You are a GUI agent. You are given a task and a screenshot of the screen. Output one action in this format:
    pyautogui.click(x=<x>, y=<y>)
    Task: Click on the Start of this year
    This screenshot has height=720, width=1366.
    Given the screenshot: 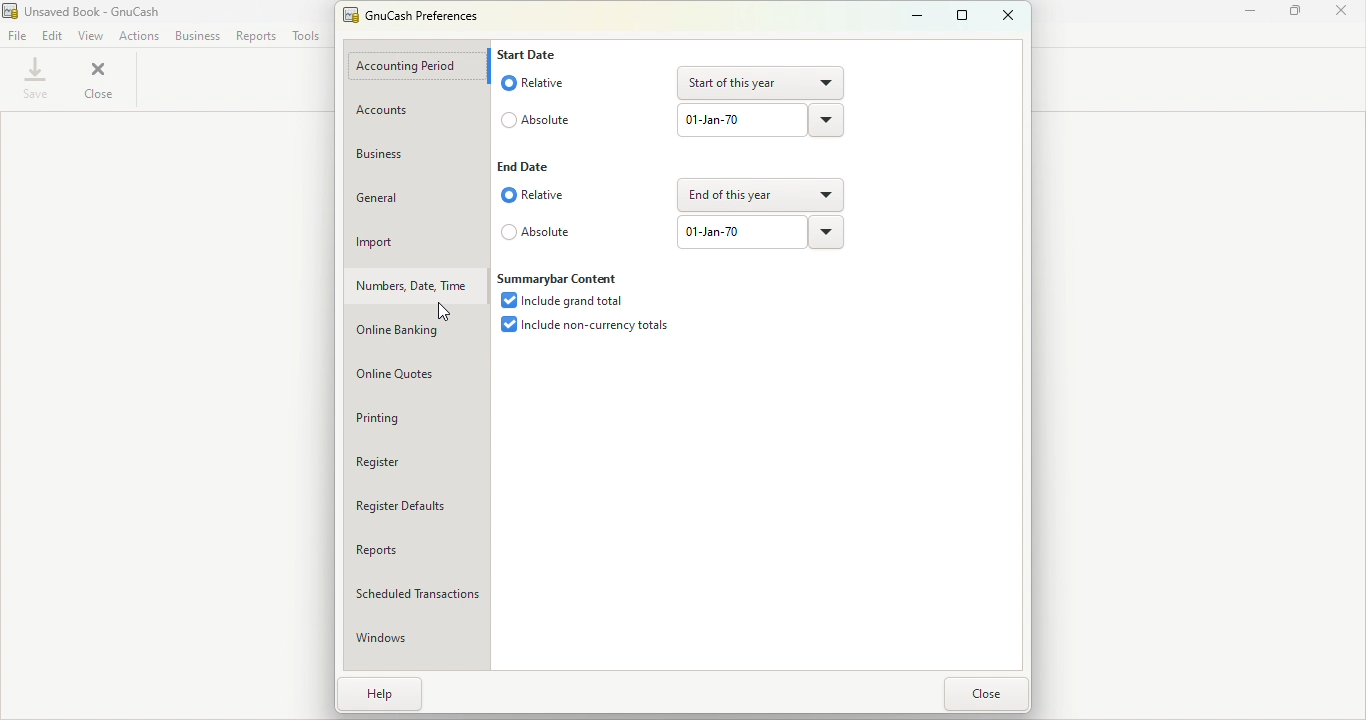 What is the action you would take?
    pyautogui.click(x=759, y=82)
    